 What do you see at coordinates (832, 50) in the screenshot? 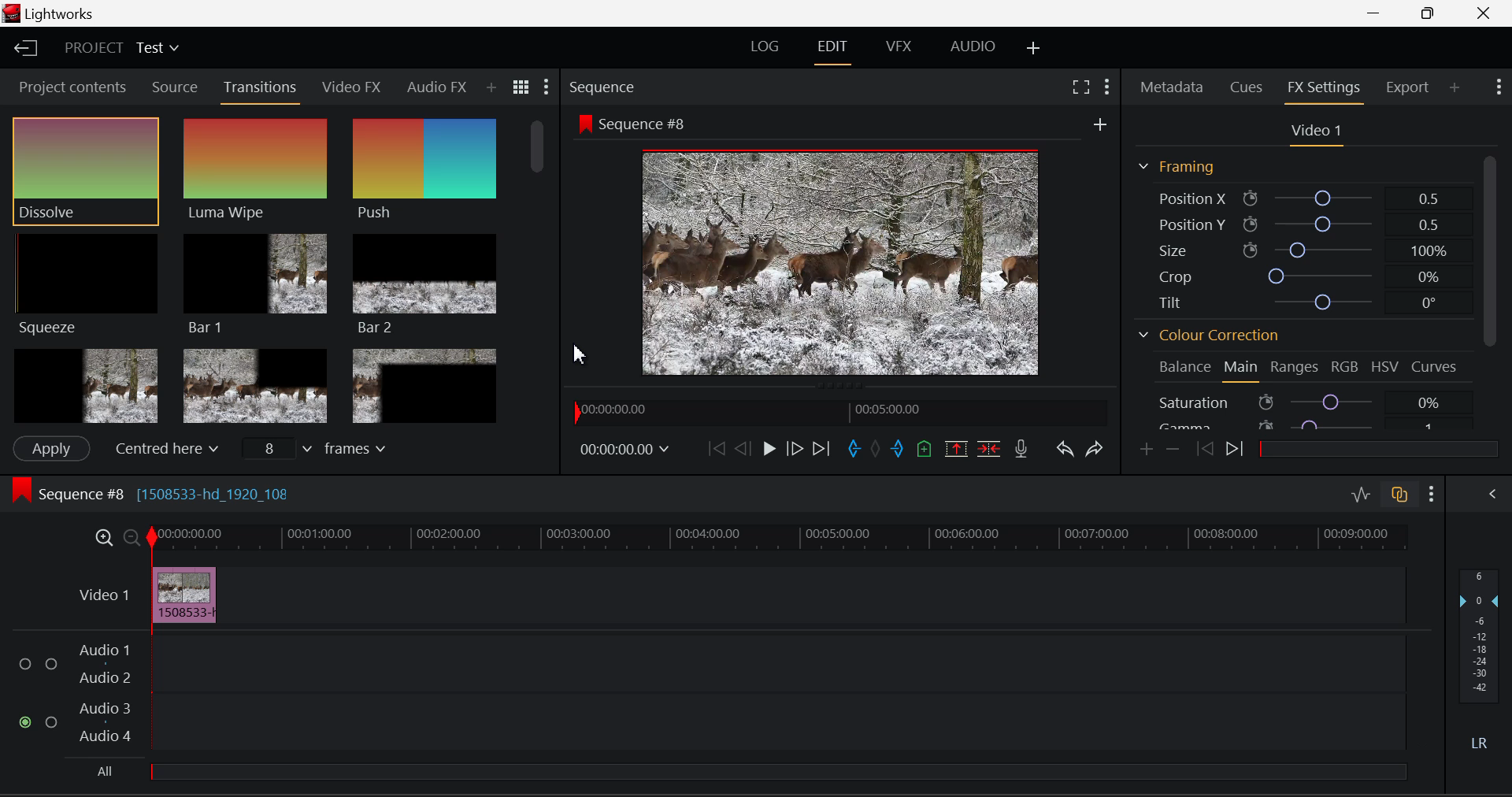
I see `EDIT Layout` at bounding box center [832, 50].